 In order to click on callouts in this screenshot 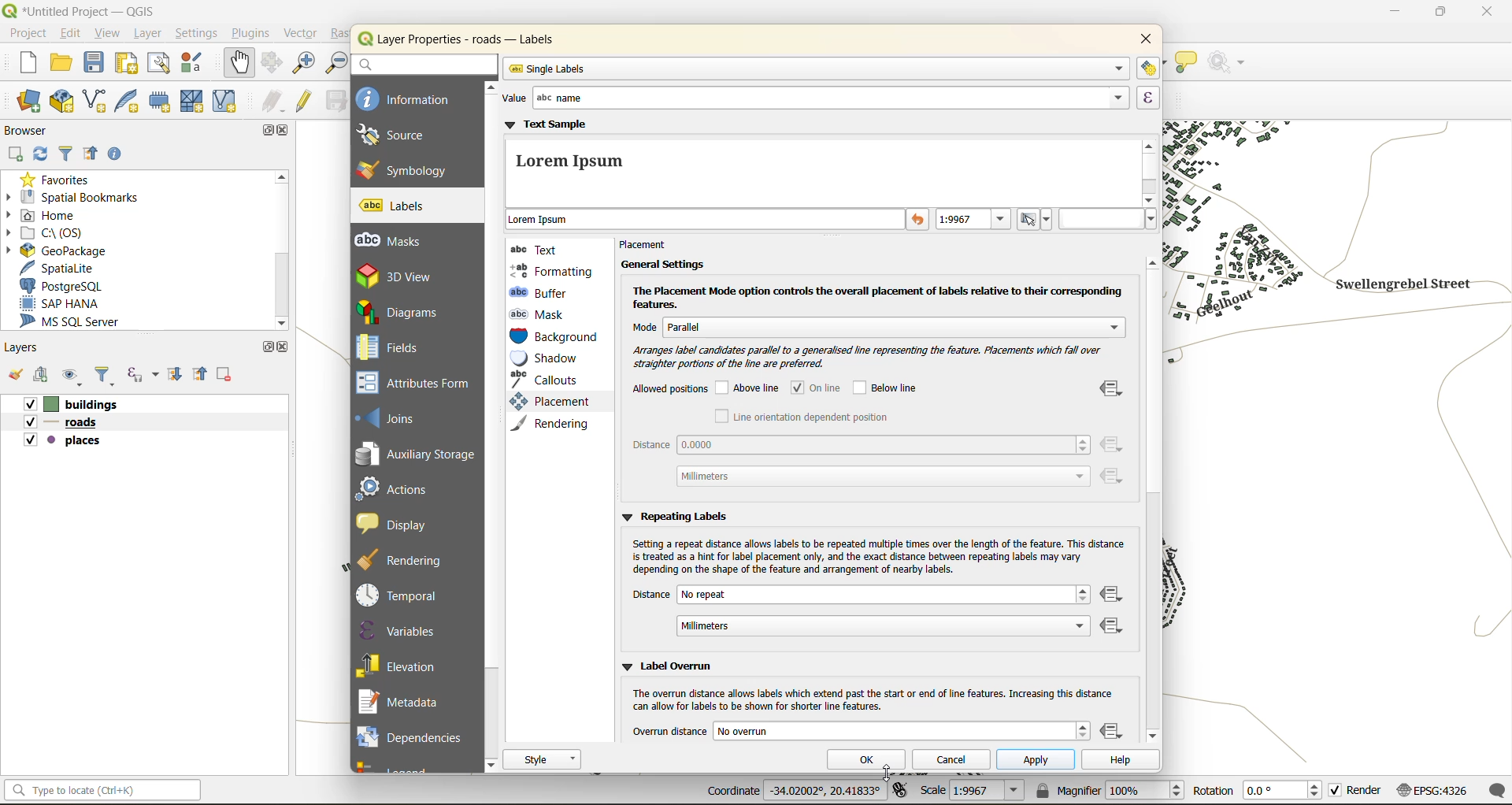, I will do `click(549, 380)`.